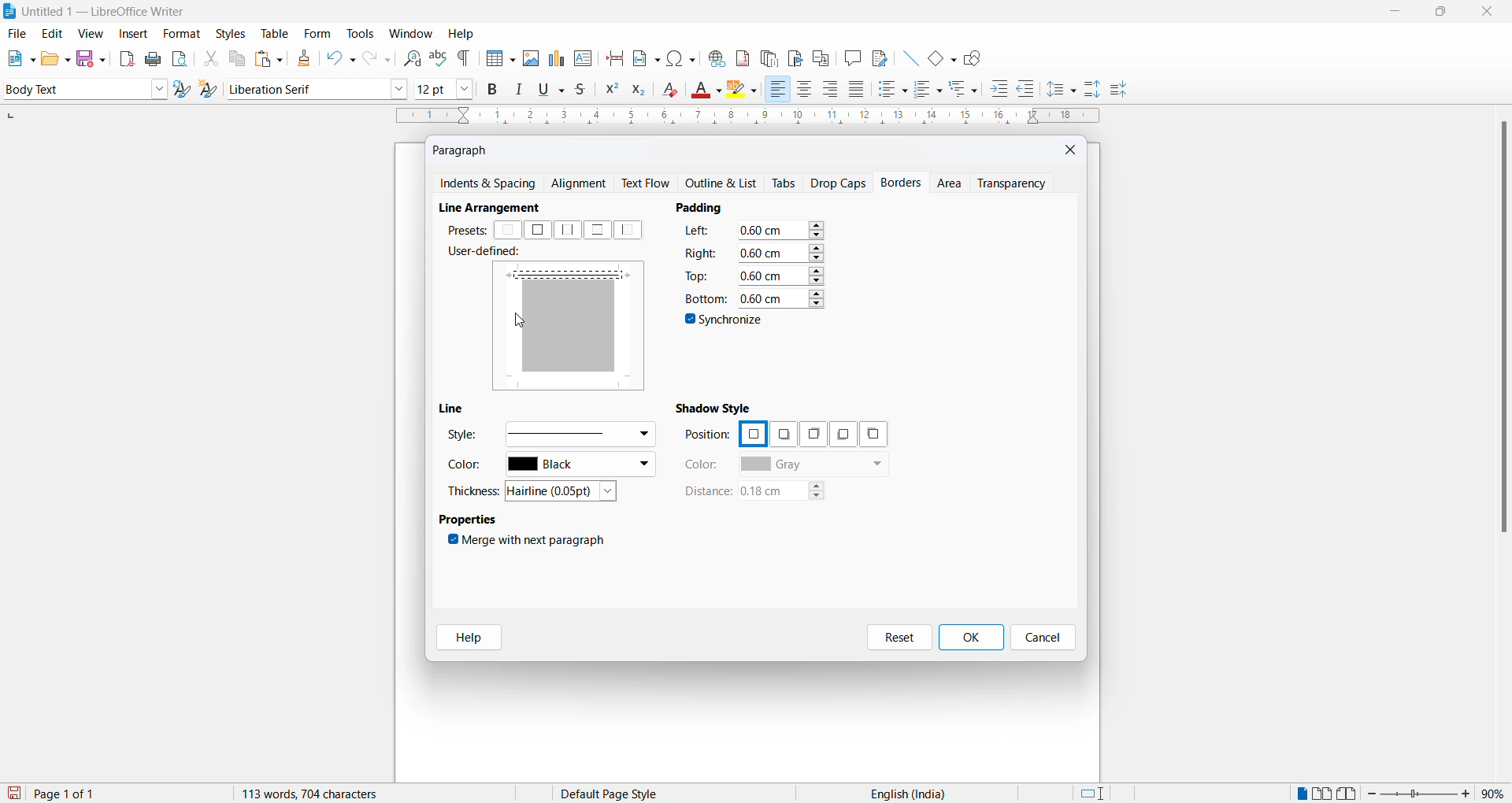  Describe the element at coordinates (938, 56) in the screenshot. I see `basic shapes` at that location.